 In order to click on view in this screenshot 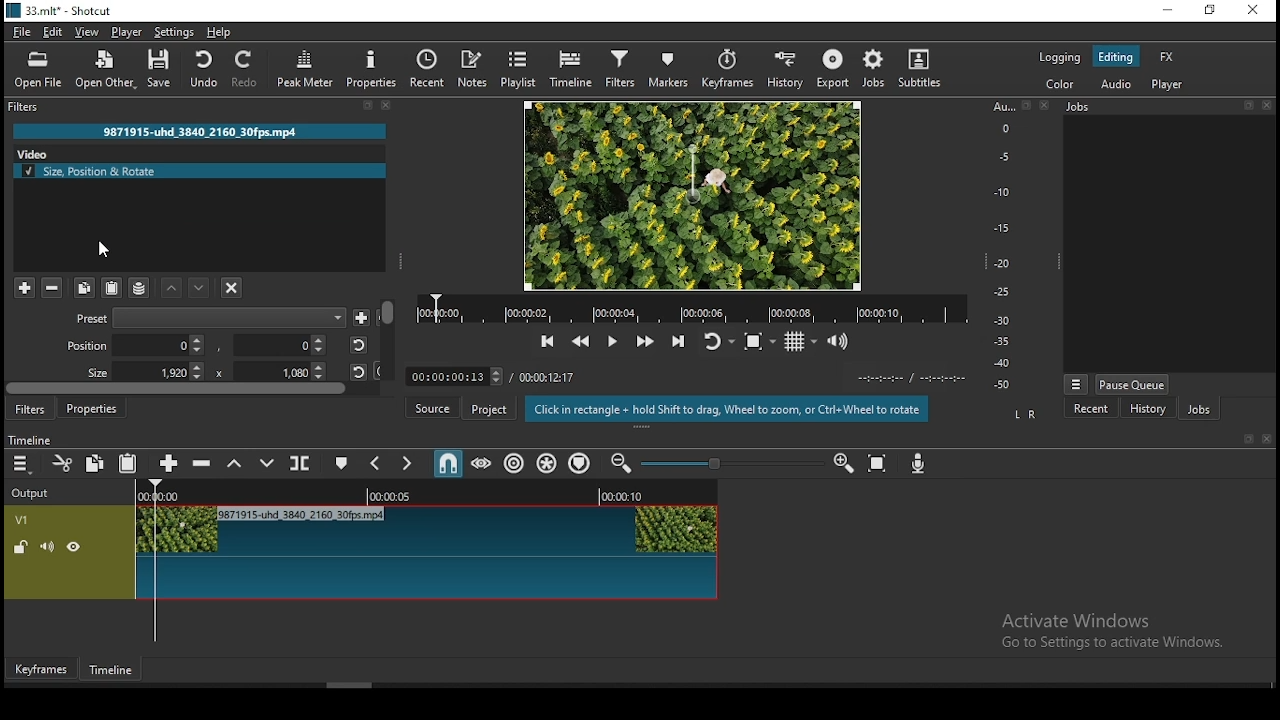, I will do `click(88, 31)`.